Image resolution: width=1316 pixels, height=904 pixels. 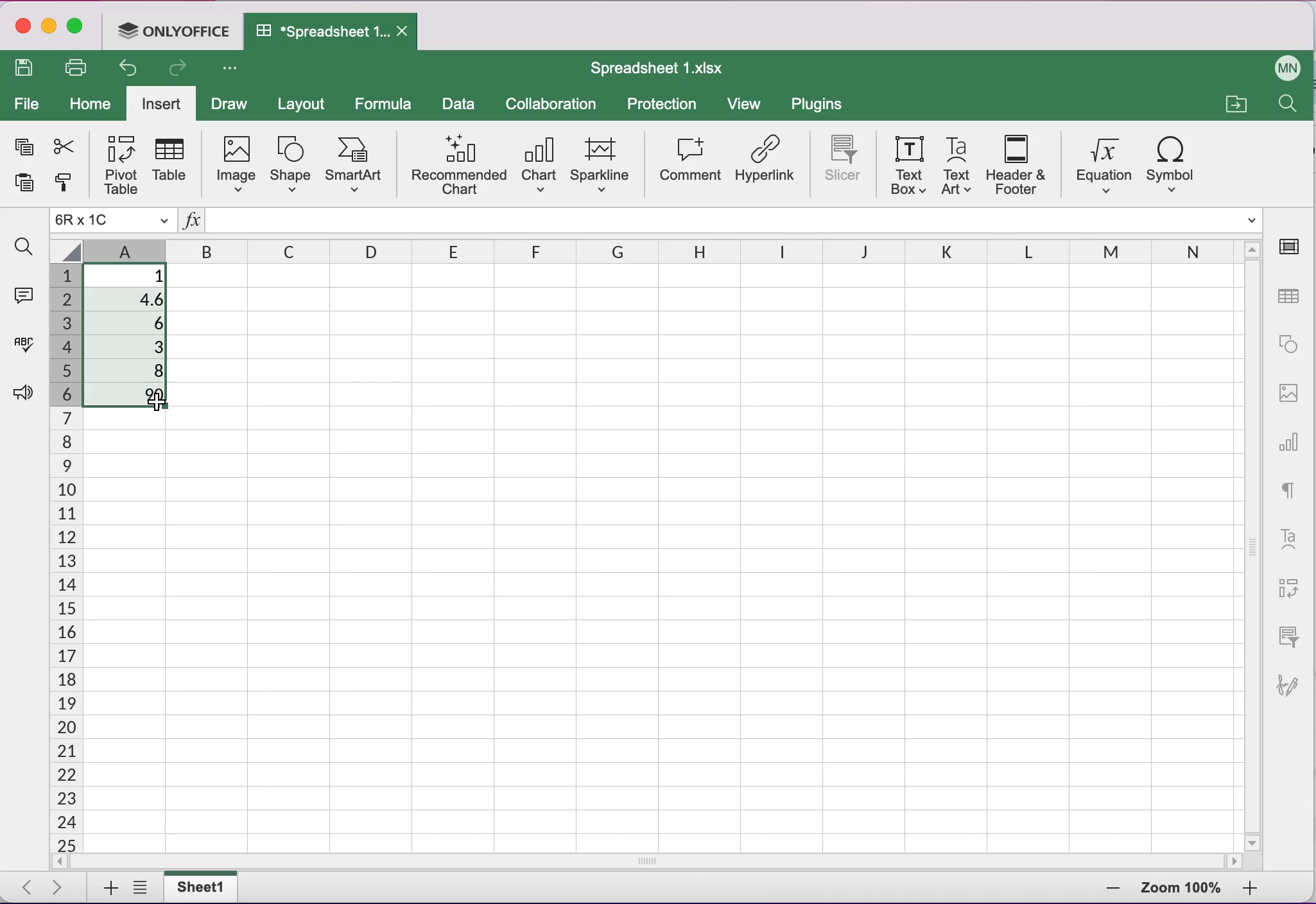 I want to click on protection, so click(x=661, y=105).